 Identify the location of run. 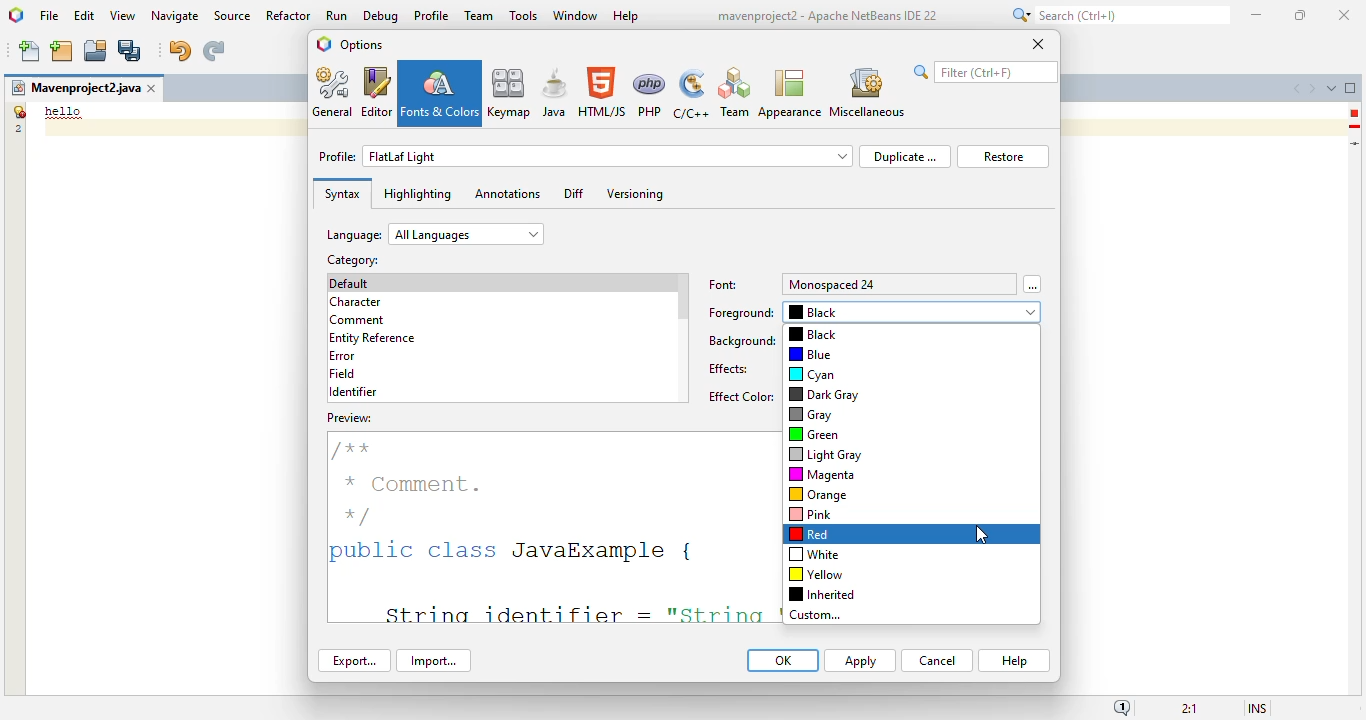
(338, 15).